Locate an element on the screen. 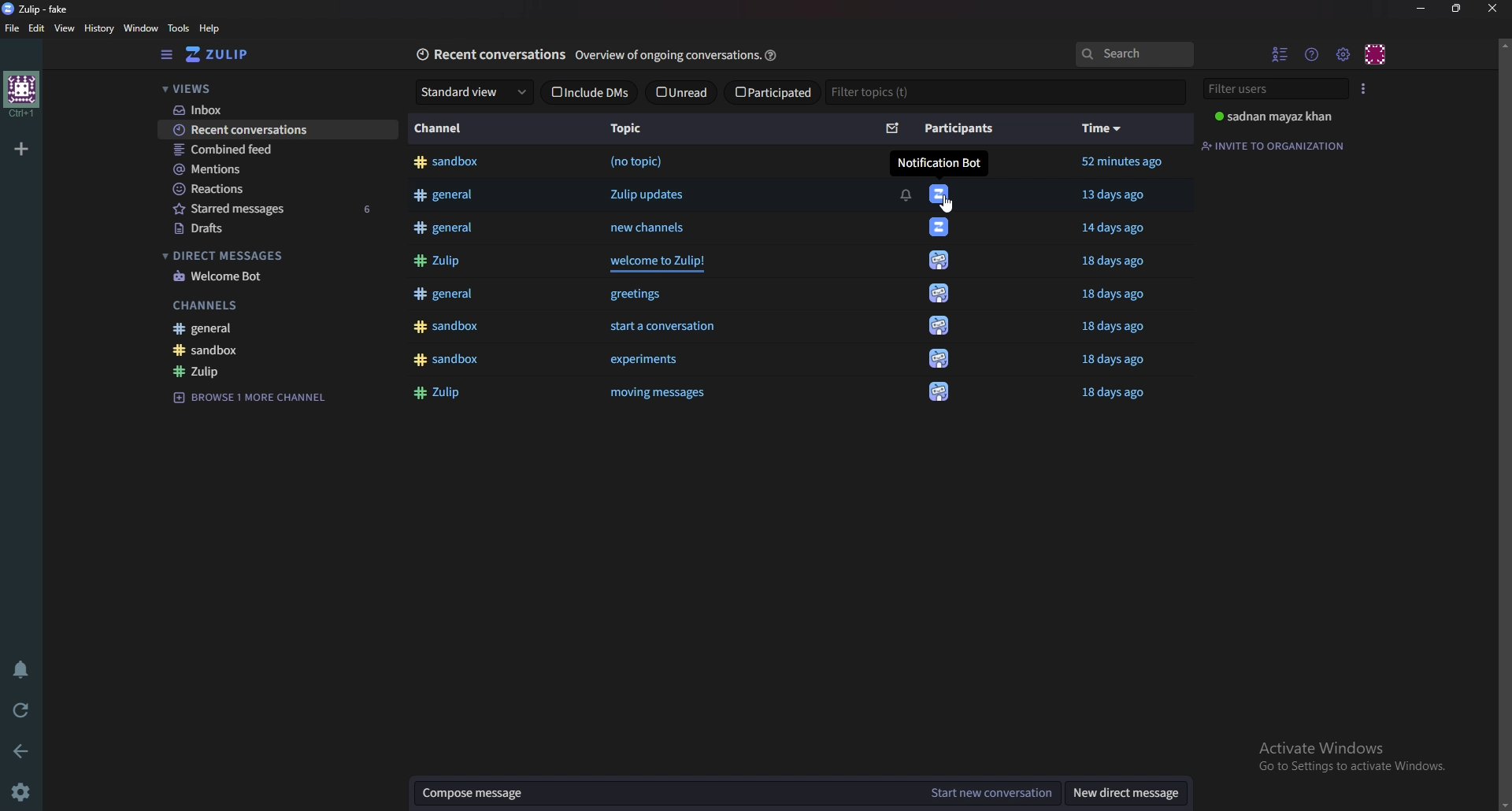  view is located at coordinates (66, 28).